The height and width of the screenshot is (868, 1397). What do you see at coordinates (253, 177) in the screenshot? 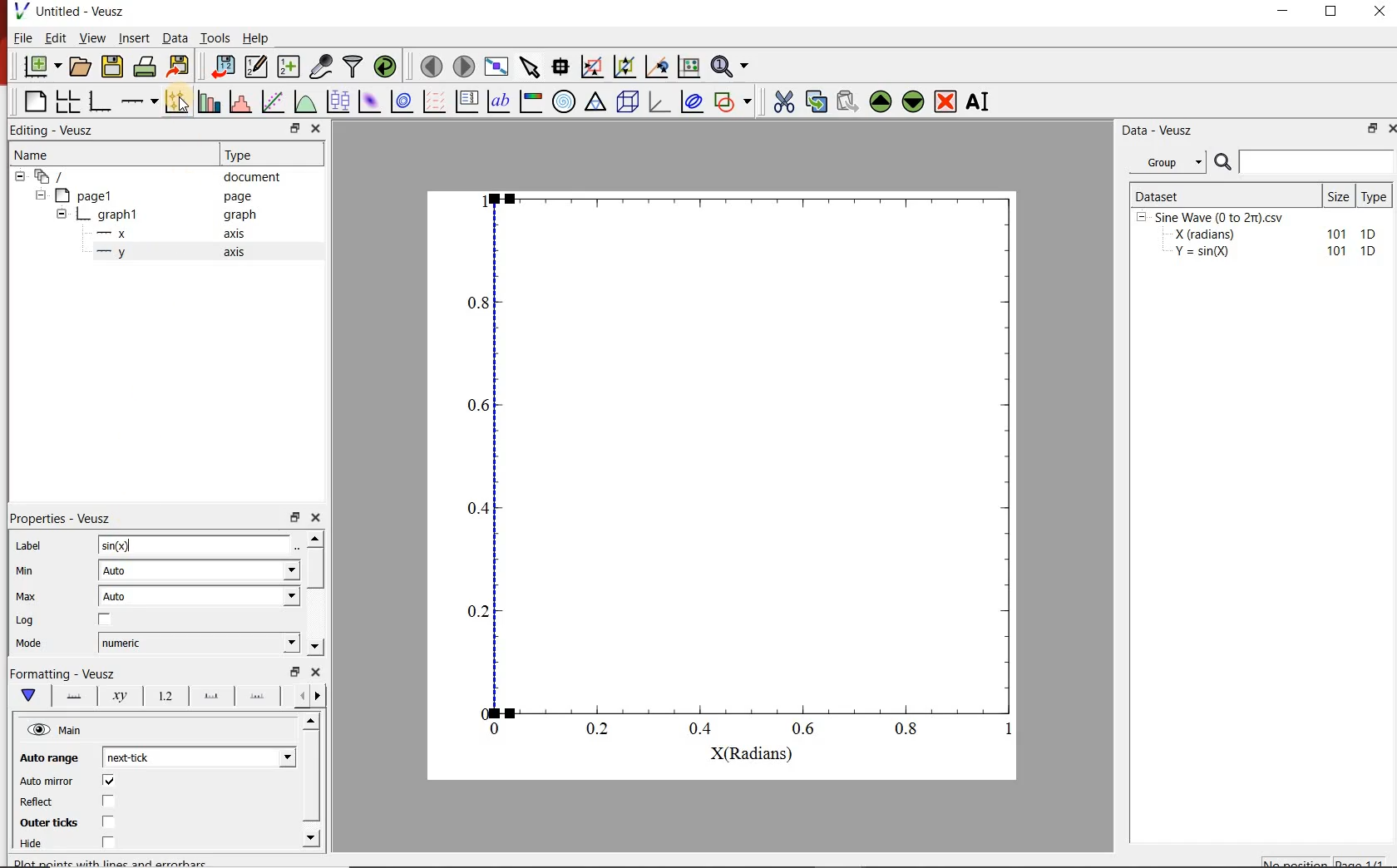
I see `document` at bounding box center [253, 177].